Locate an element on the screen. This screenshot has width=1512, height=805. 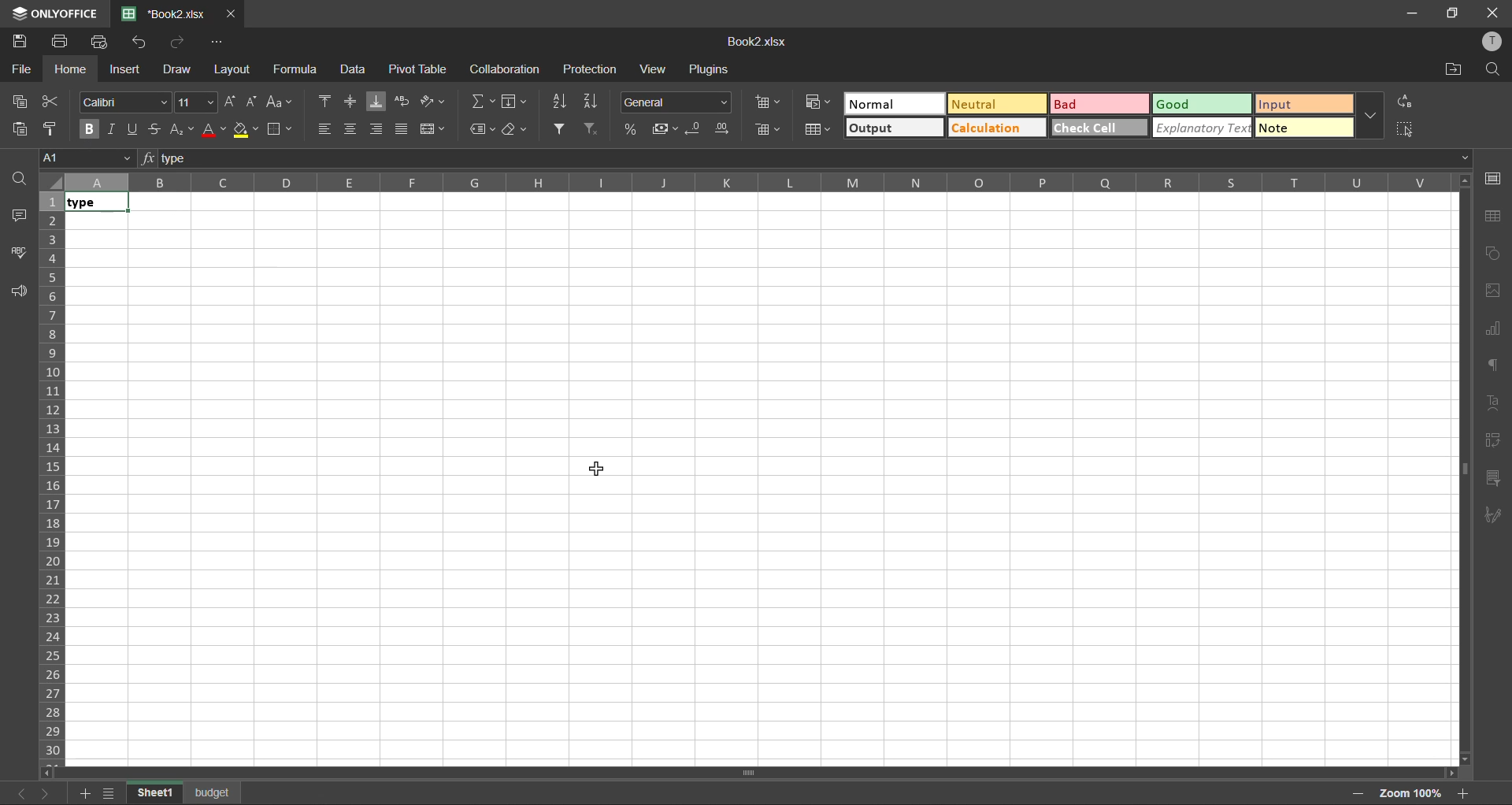
pivot table is located at coordinates (417, 69).